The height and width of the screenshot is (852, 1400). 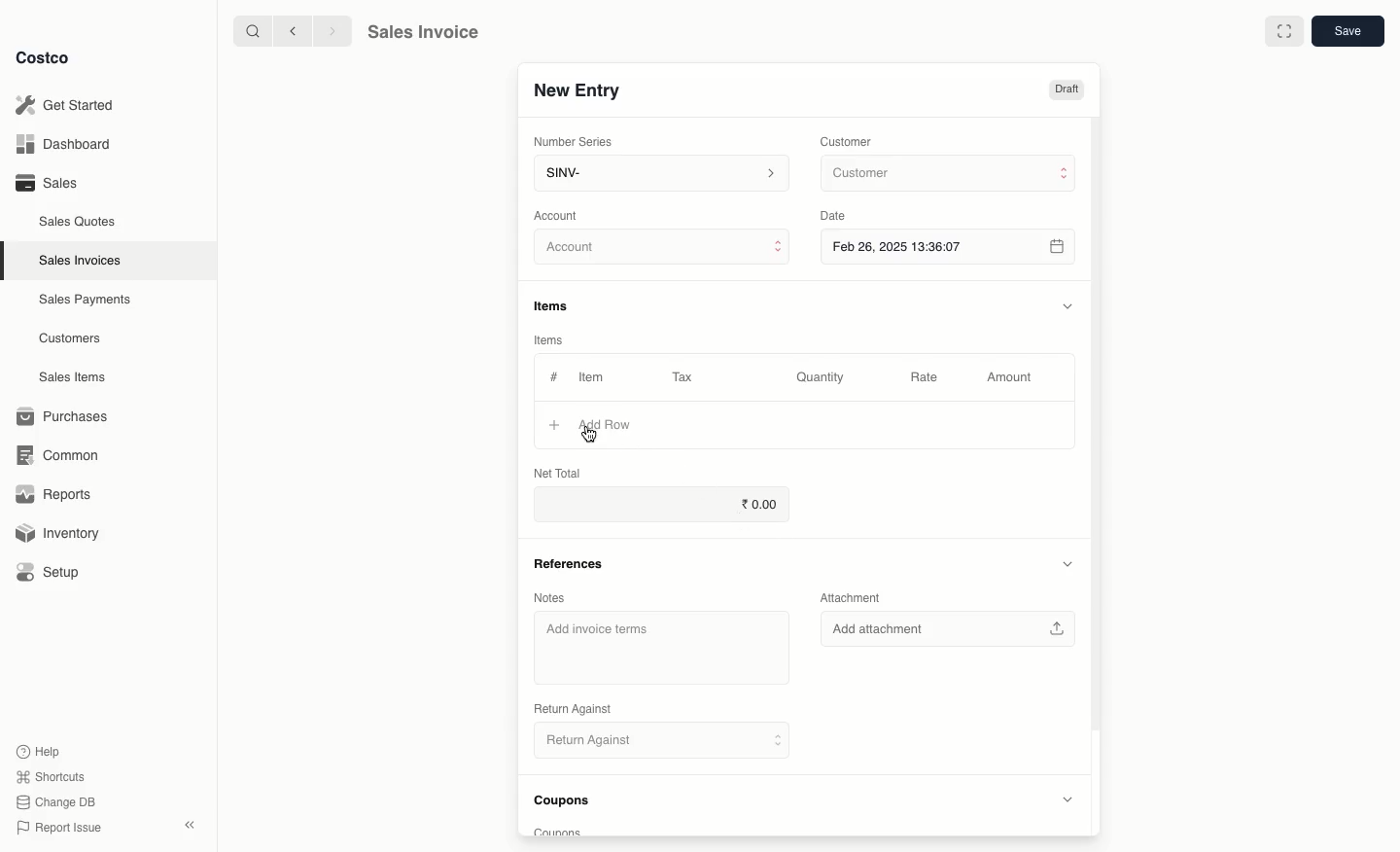 I want to click on Date, so click(x=838, y=216).